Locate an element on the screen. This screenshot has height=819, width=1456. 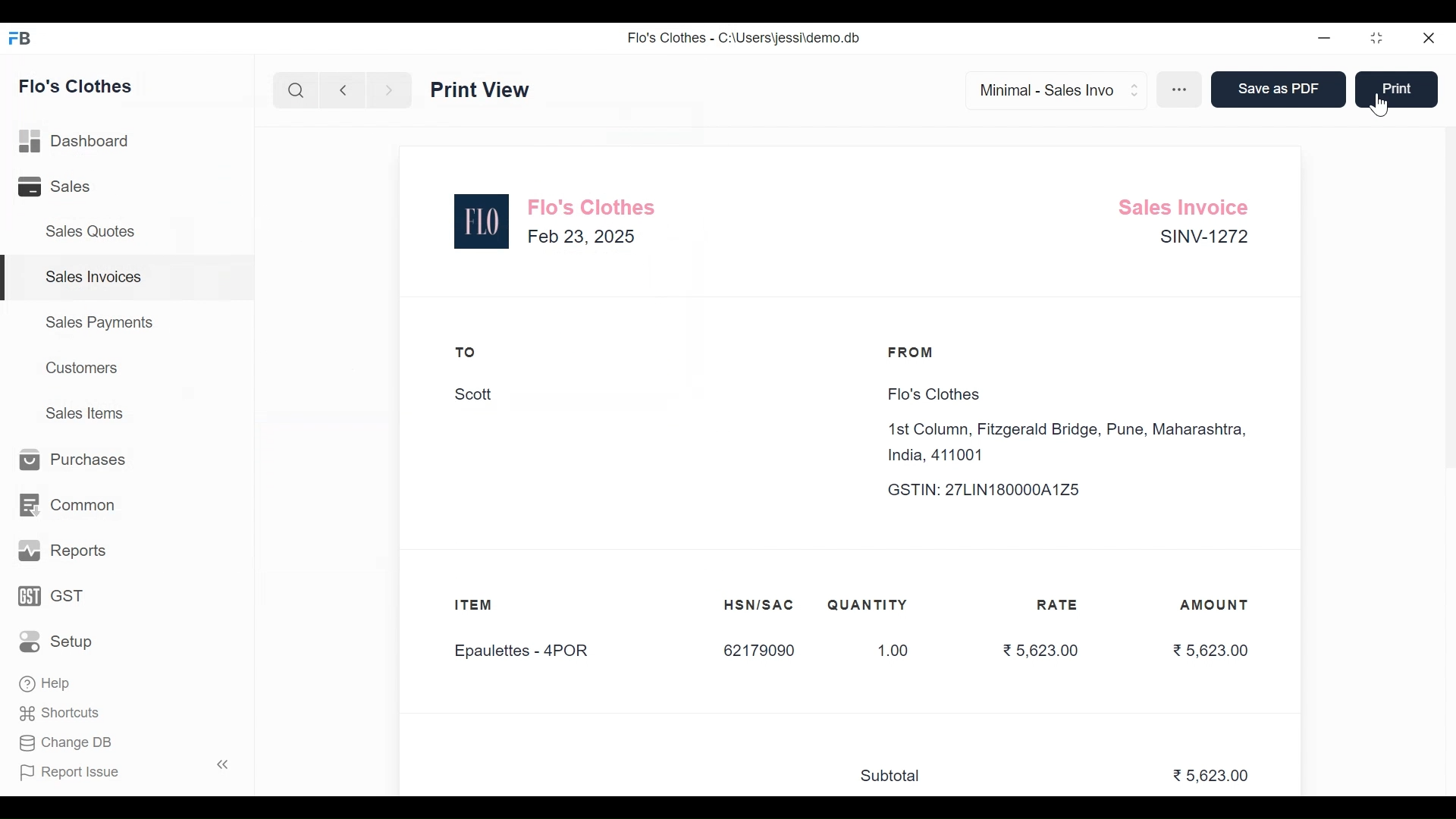
GSTIN: 27LIN180000A1Z5 is located at coordinates (998, 490).